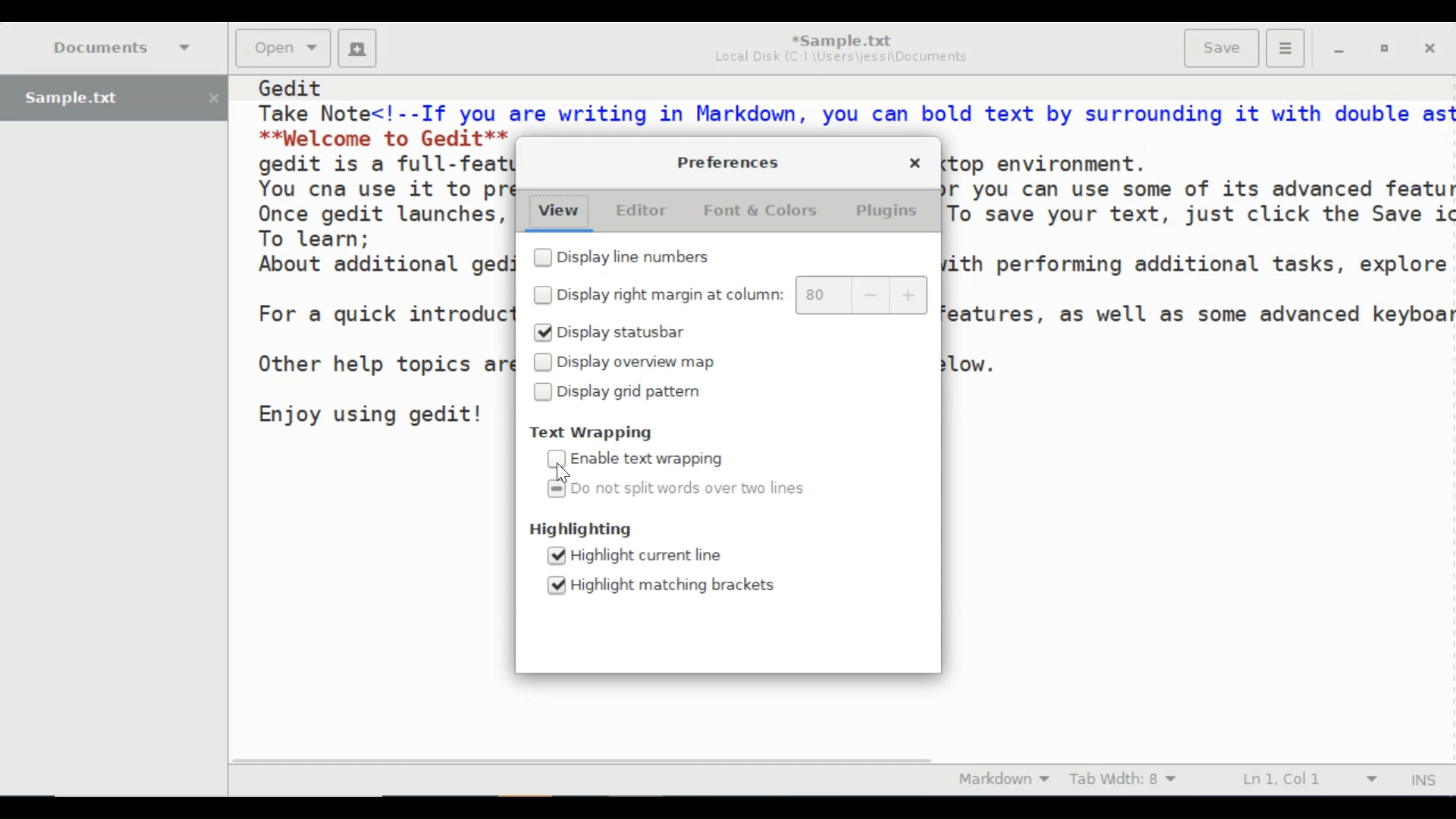 This screenshot has width=1456, height=819. I want to click on Tab Width, so click(1129, 778).